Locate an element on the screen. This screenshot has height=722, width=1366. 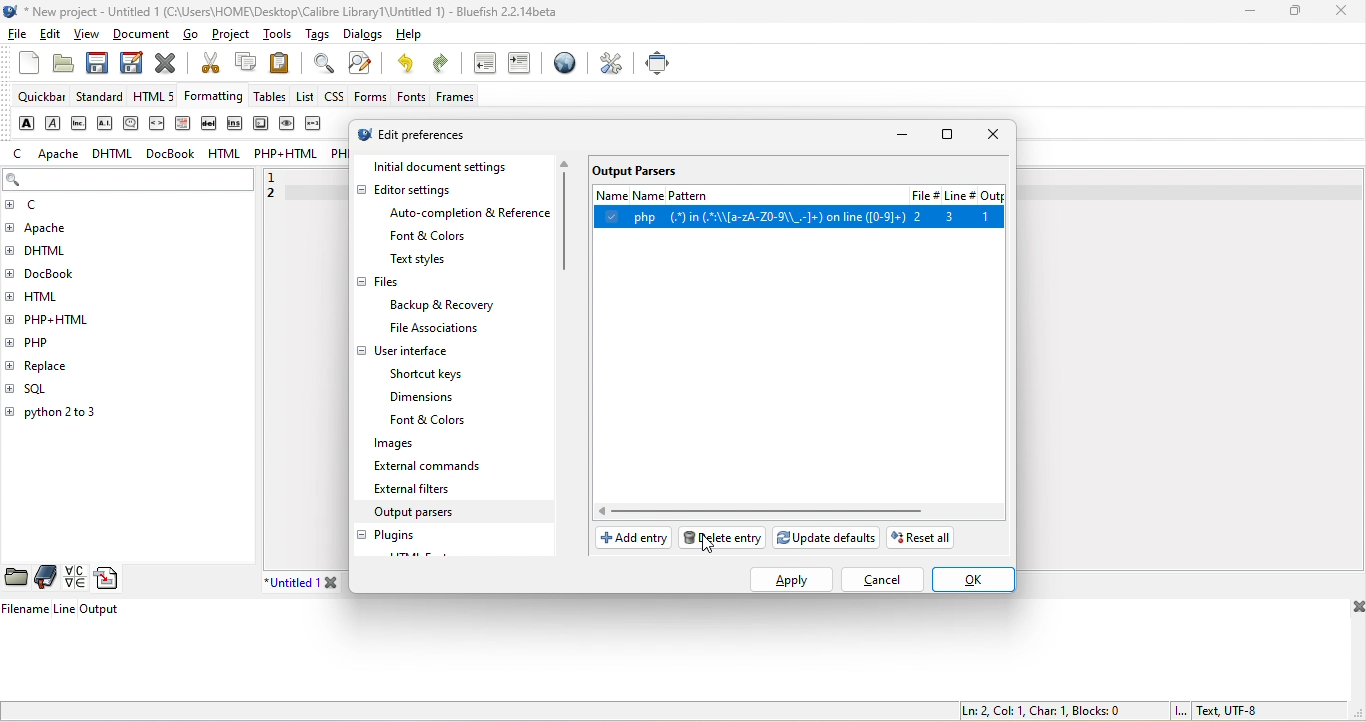
apache is located at coordinates (62, 228).